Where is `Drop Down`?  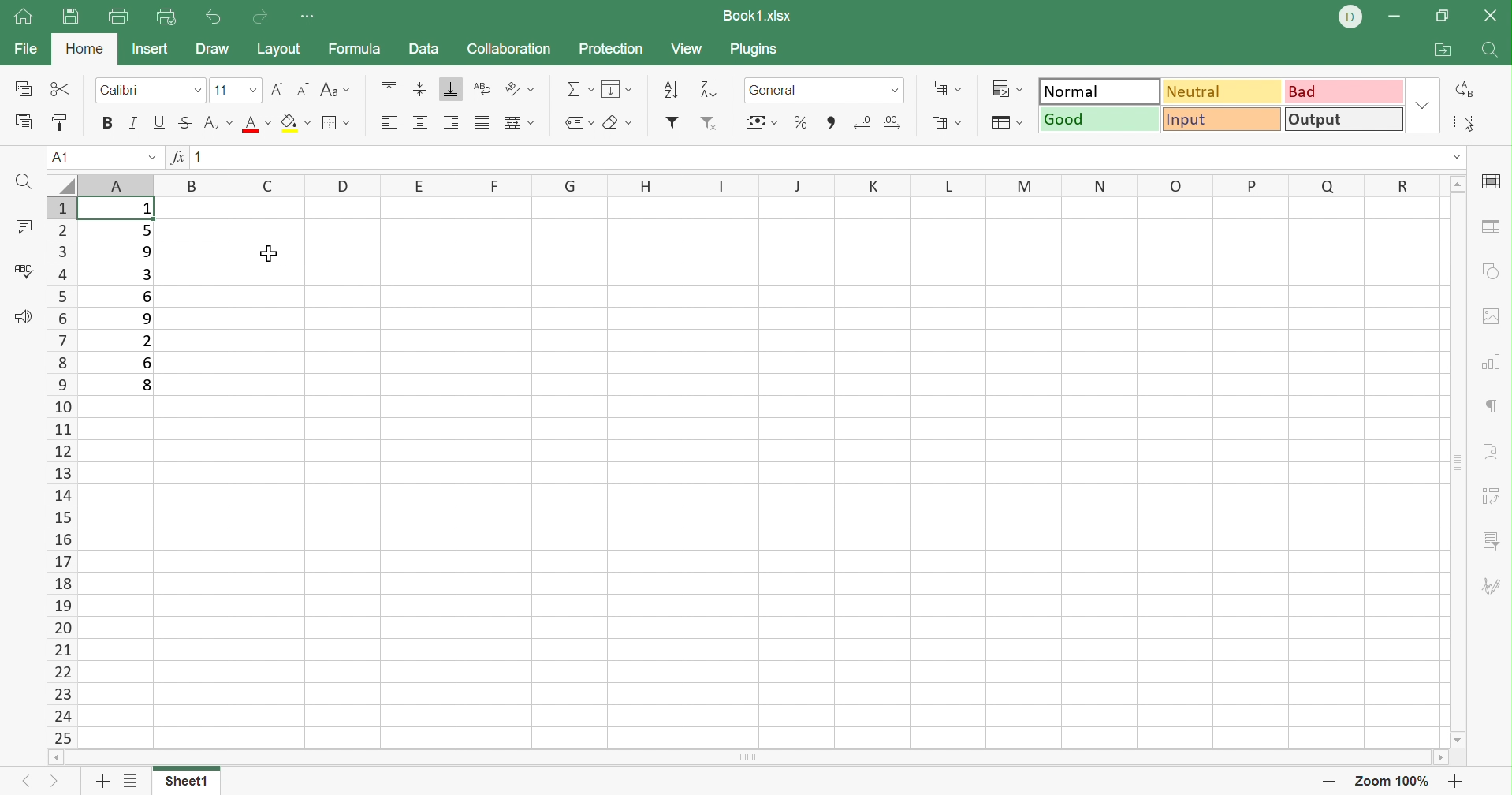 Drop Down is located at coordinates (1422, 104).